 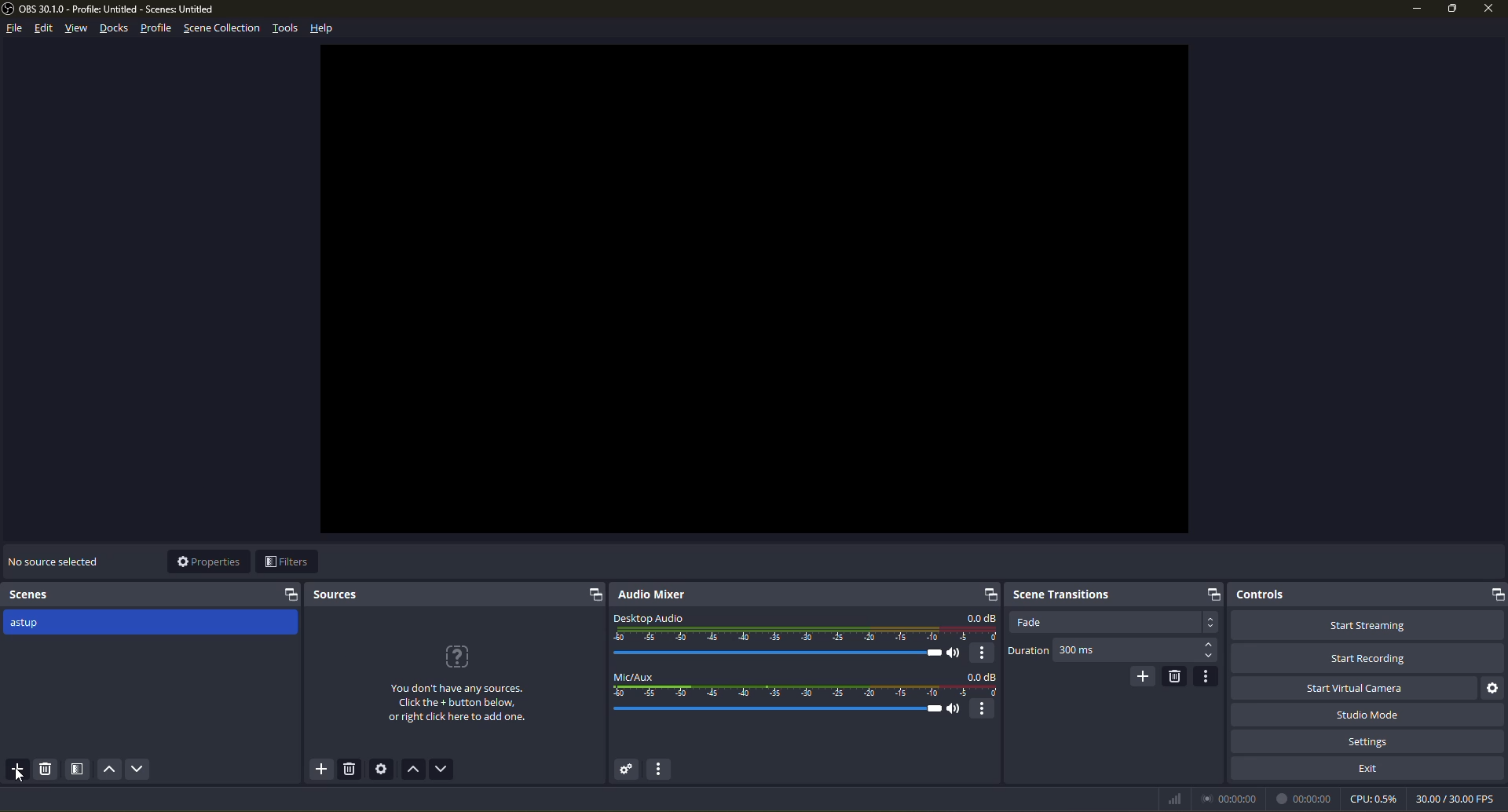 I want to click on You don't have any sources.
Click the + button below,
or right click here to add one., so click(x=459, y=704).